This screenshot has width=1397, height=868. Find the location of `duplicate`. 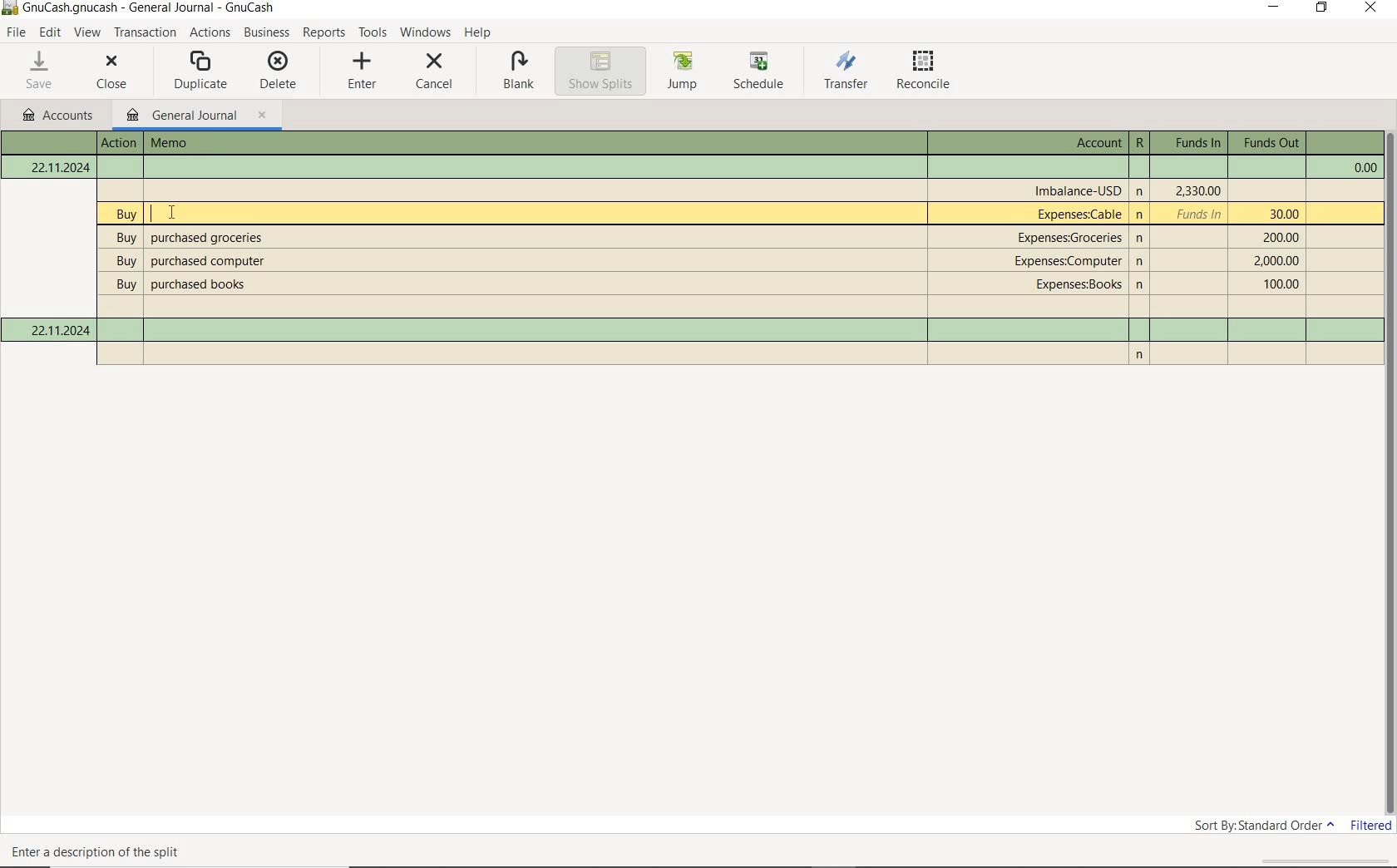

duplicate is located at coordinates (202, 72).